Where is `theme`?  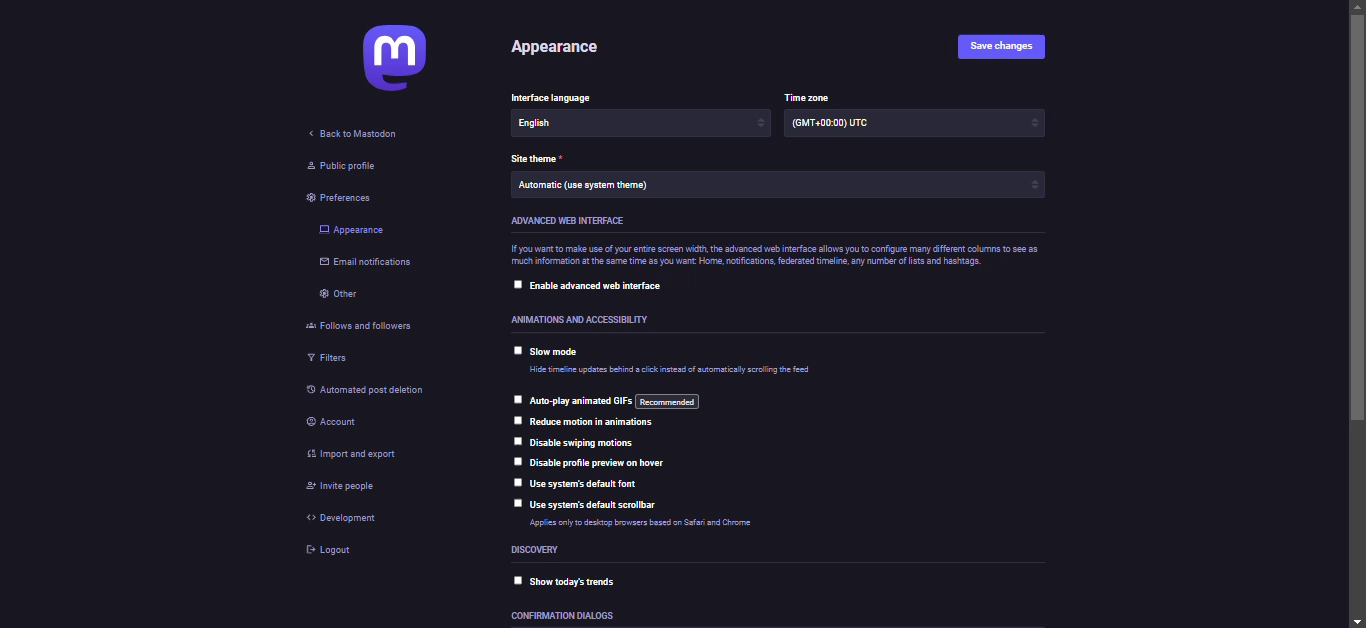
theme is located at coordinates (587, 185).